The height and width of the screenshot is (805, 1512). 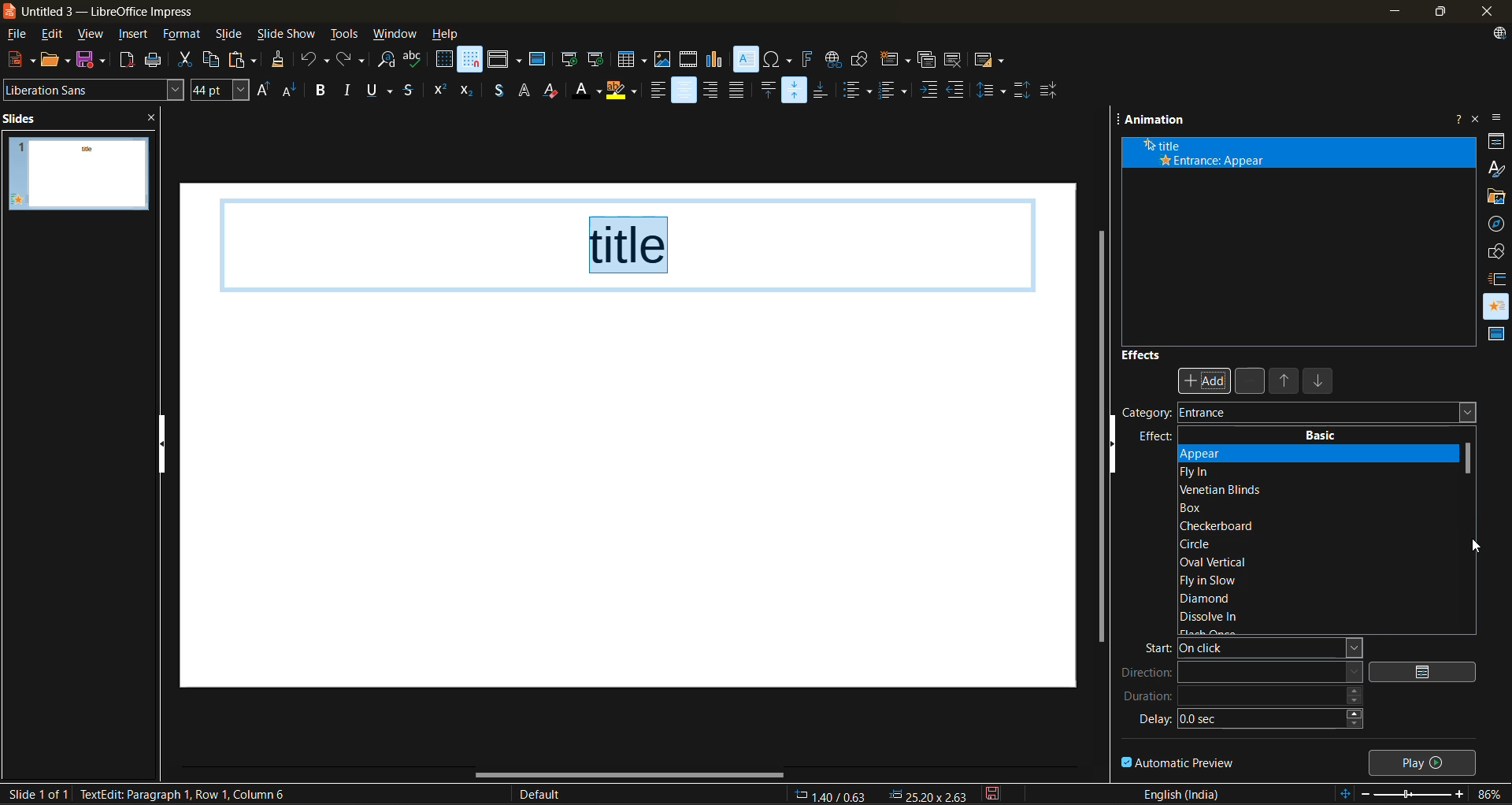 What do you see at coordinates (1437, 14) in the screenshot?
I see `maximize` at bounding box center [1437, 14].